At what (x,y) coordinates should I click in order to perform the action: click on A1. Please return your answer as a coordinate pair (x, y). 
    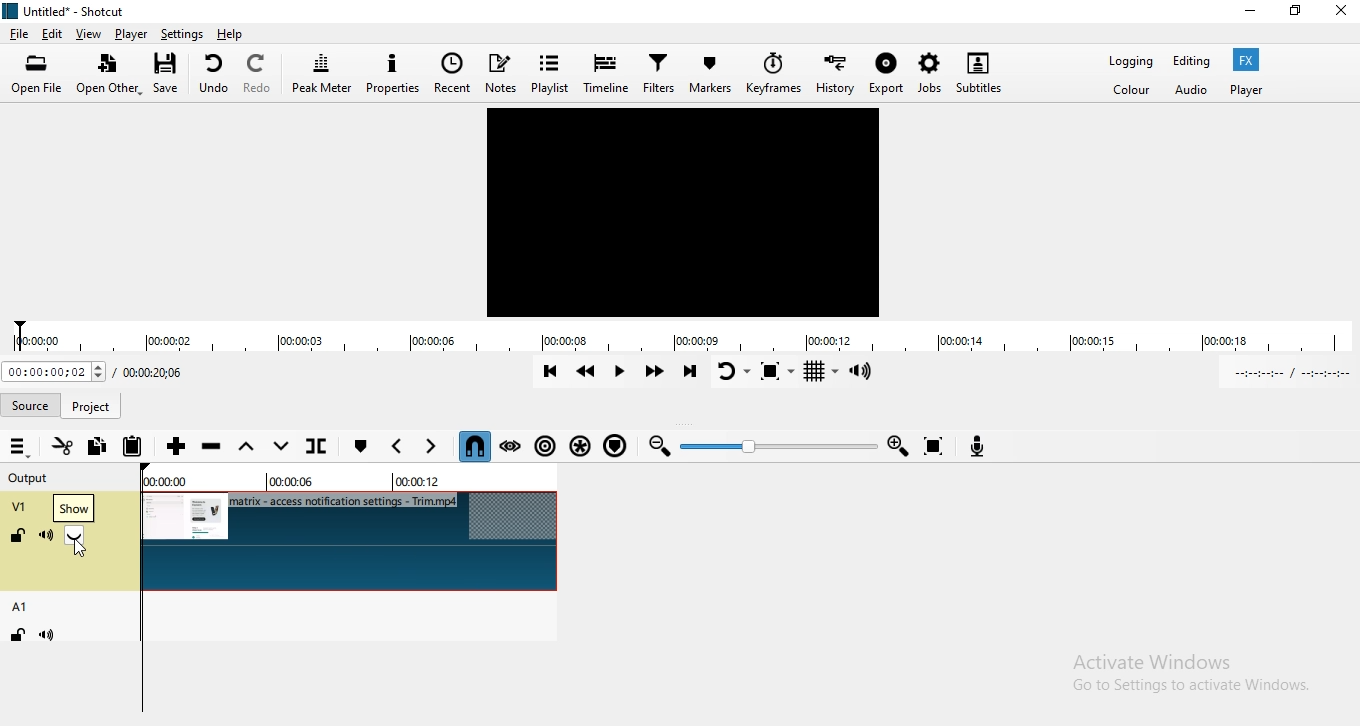
    Looking at the image, I should click on (28, 603).